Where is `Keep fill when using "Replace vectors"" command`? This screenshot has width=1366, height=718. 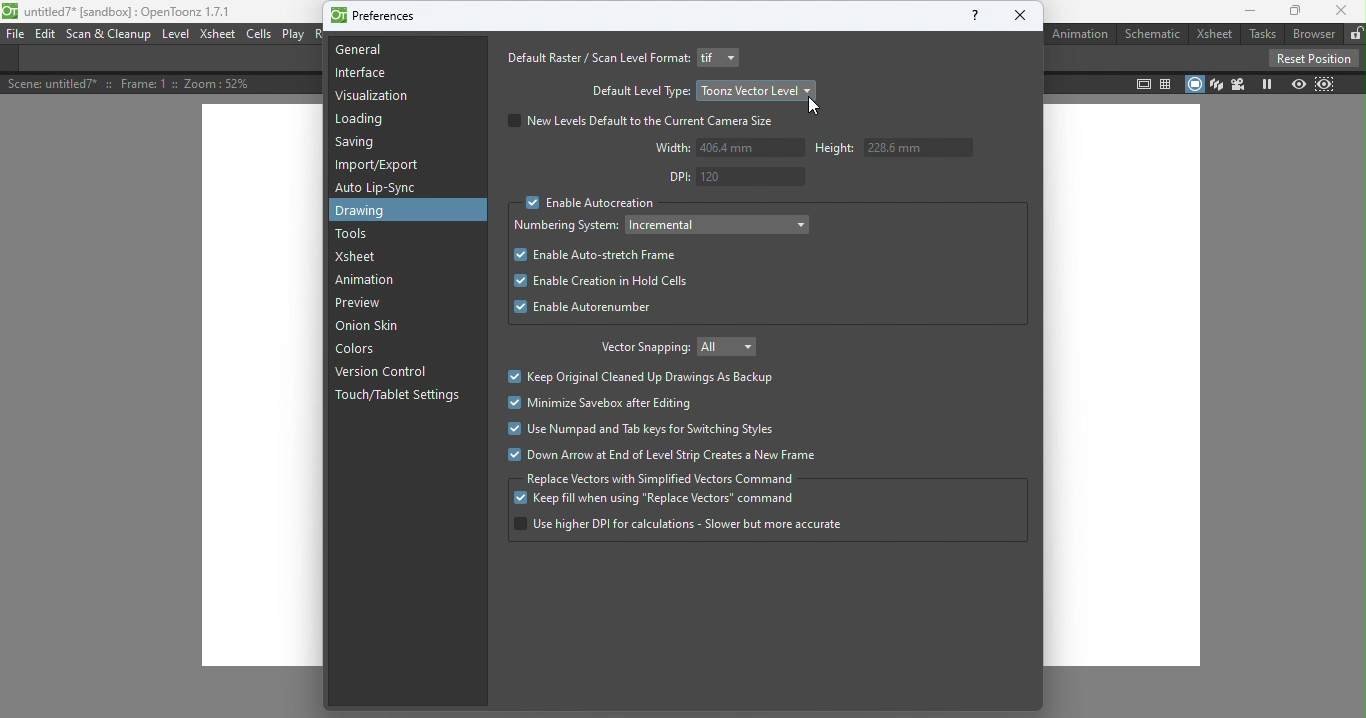 Keep fill when using "Replace vectors"" command is located at coordinates (664, 500).